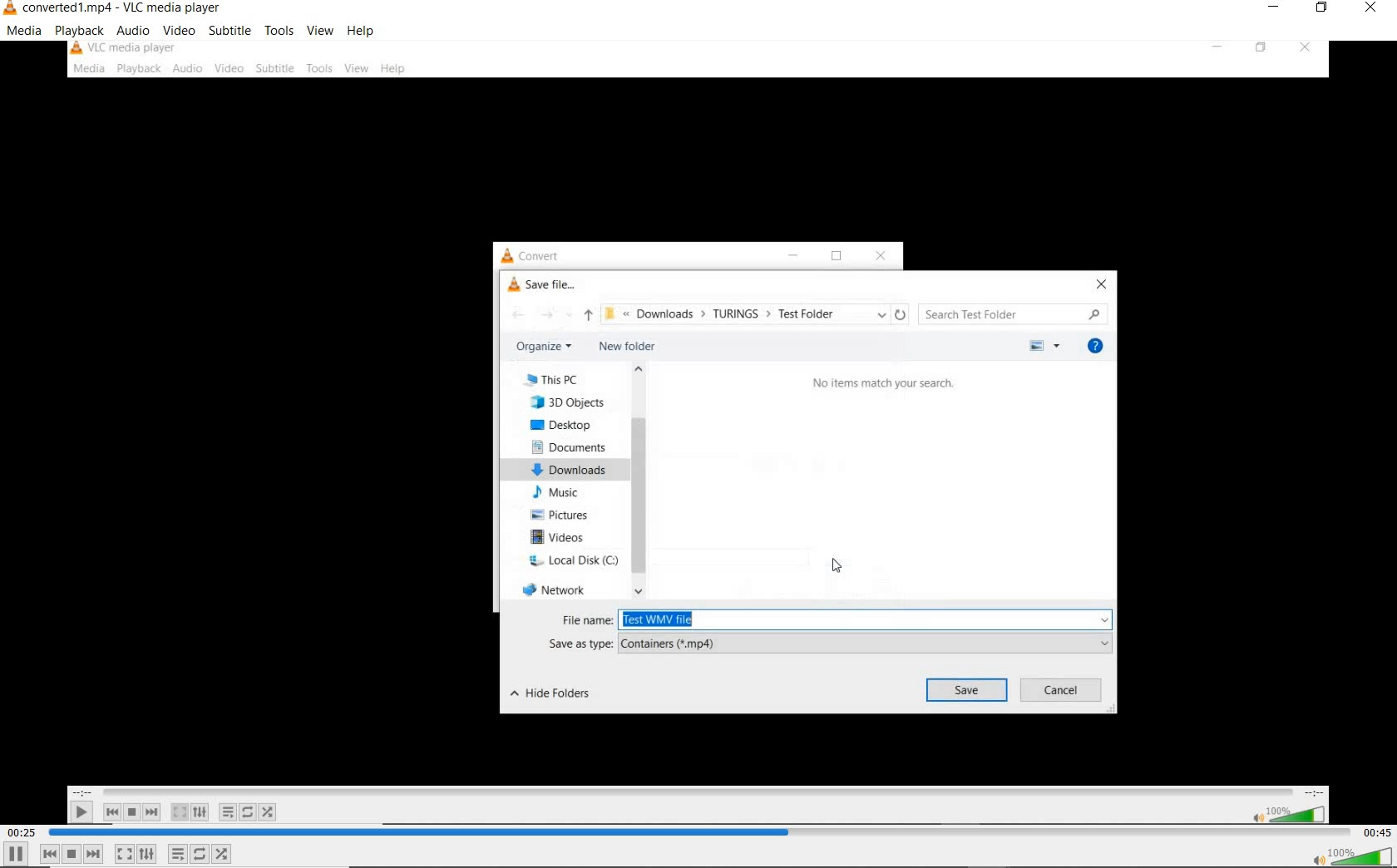  Describe the element at coordinates (17, 854) in the screenshot. I see `pause` at that location.